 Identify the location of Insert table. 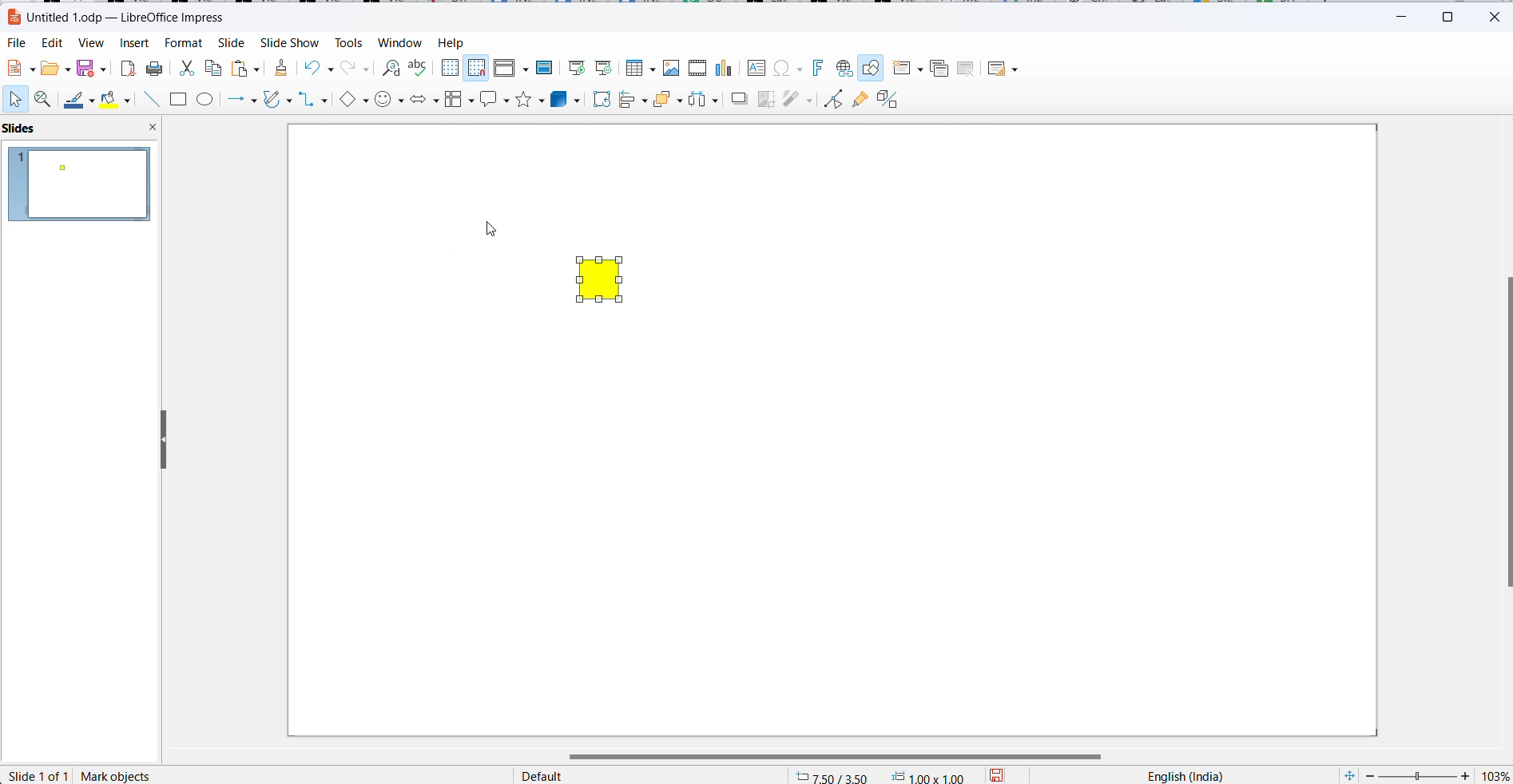
(640, 68).